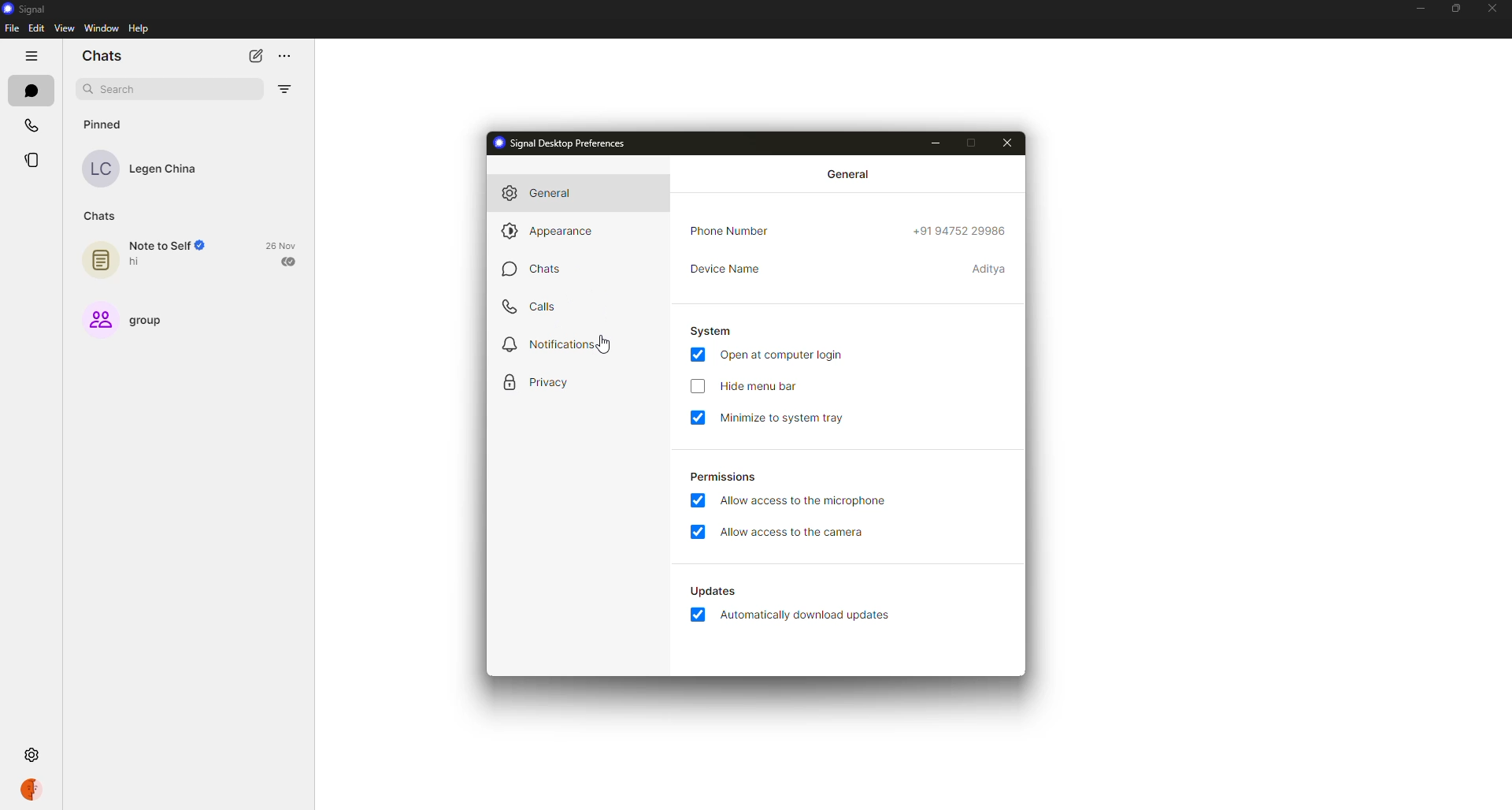  What do you see at coordinates (1011, 139) in the screenshot?
I see `close` at bounding box center [1011, 139].